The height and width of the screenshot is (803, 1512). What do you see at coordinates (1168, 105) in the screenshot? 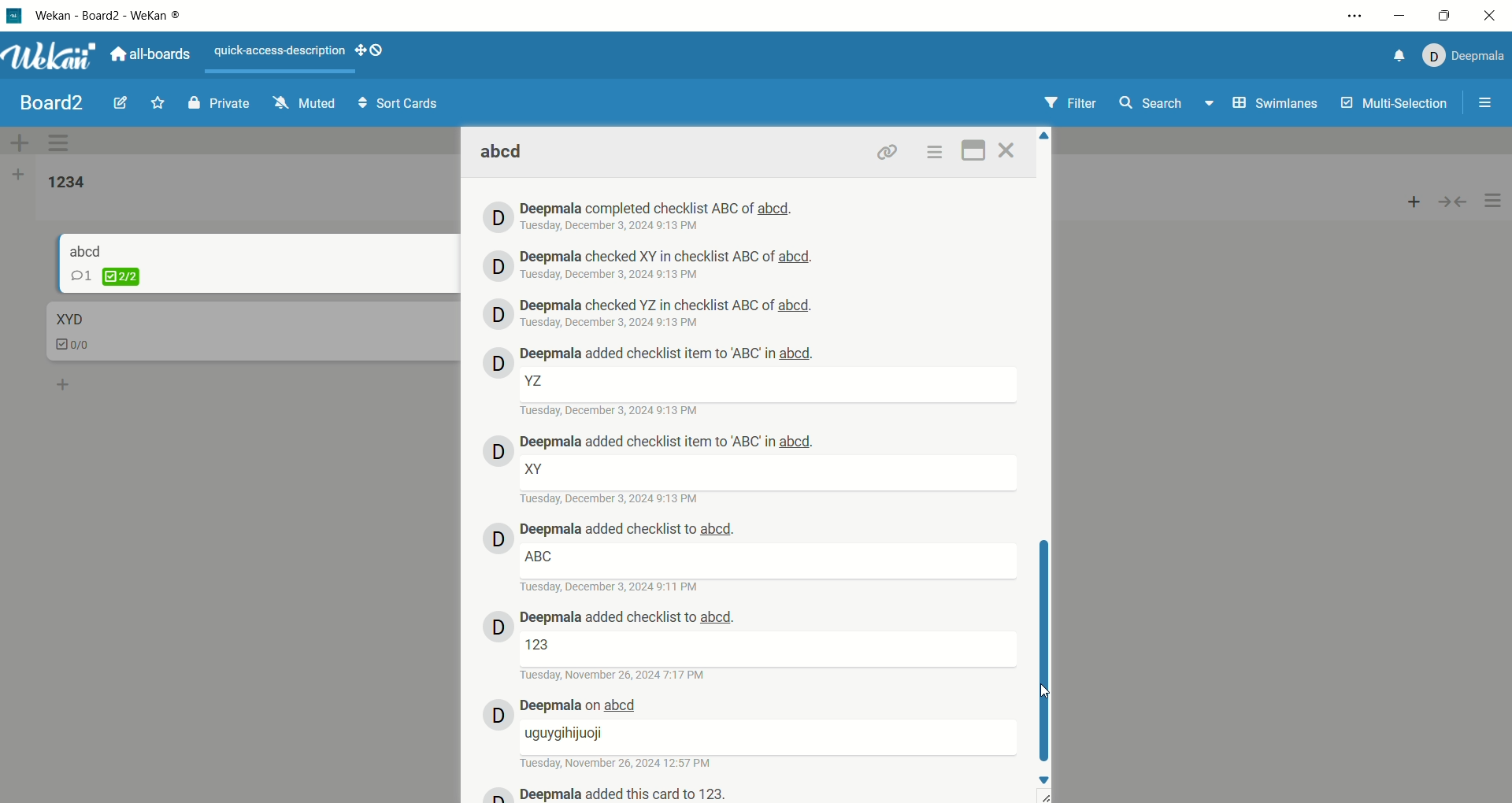
I see `search` at bounding box center [1168, 105].